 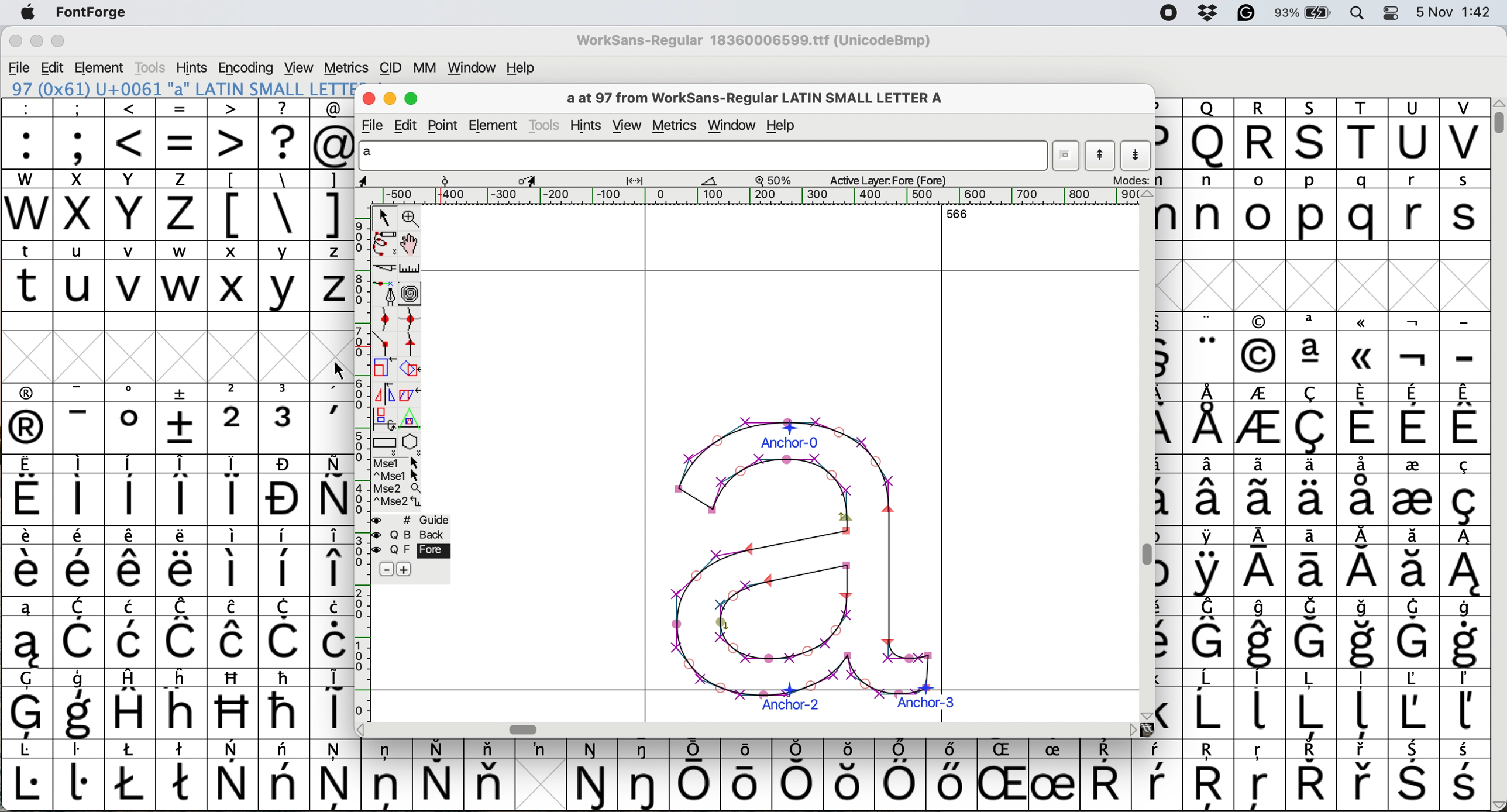 What do you see at coordinates (82, 634) in the screenshot?
I see `symbol` at bounding box center [82, 634].